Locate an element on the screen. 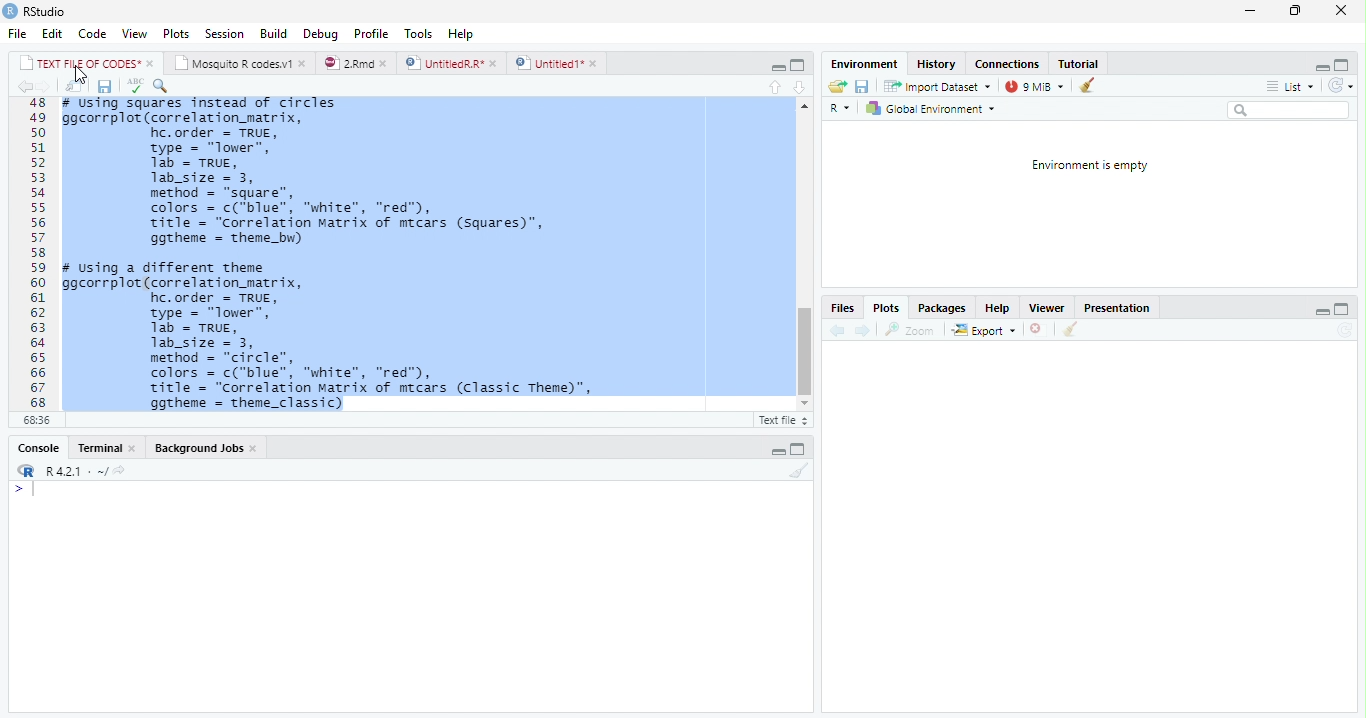 The image size is (1366, 718). cursor is located at coordinates (79, 75).